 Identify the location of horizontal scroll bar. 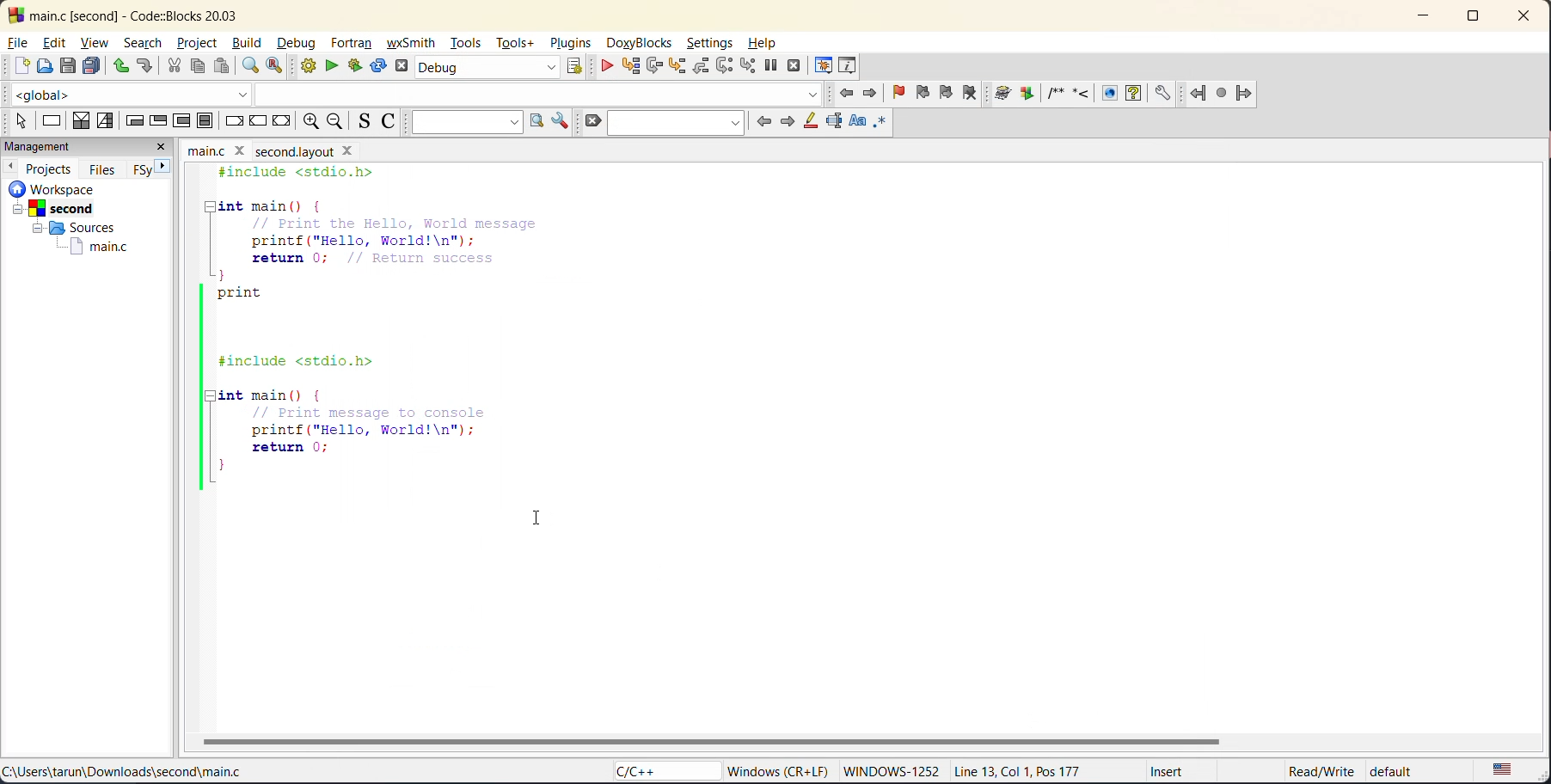
(719, 740).